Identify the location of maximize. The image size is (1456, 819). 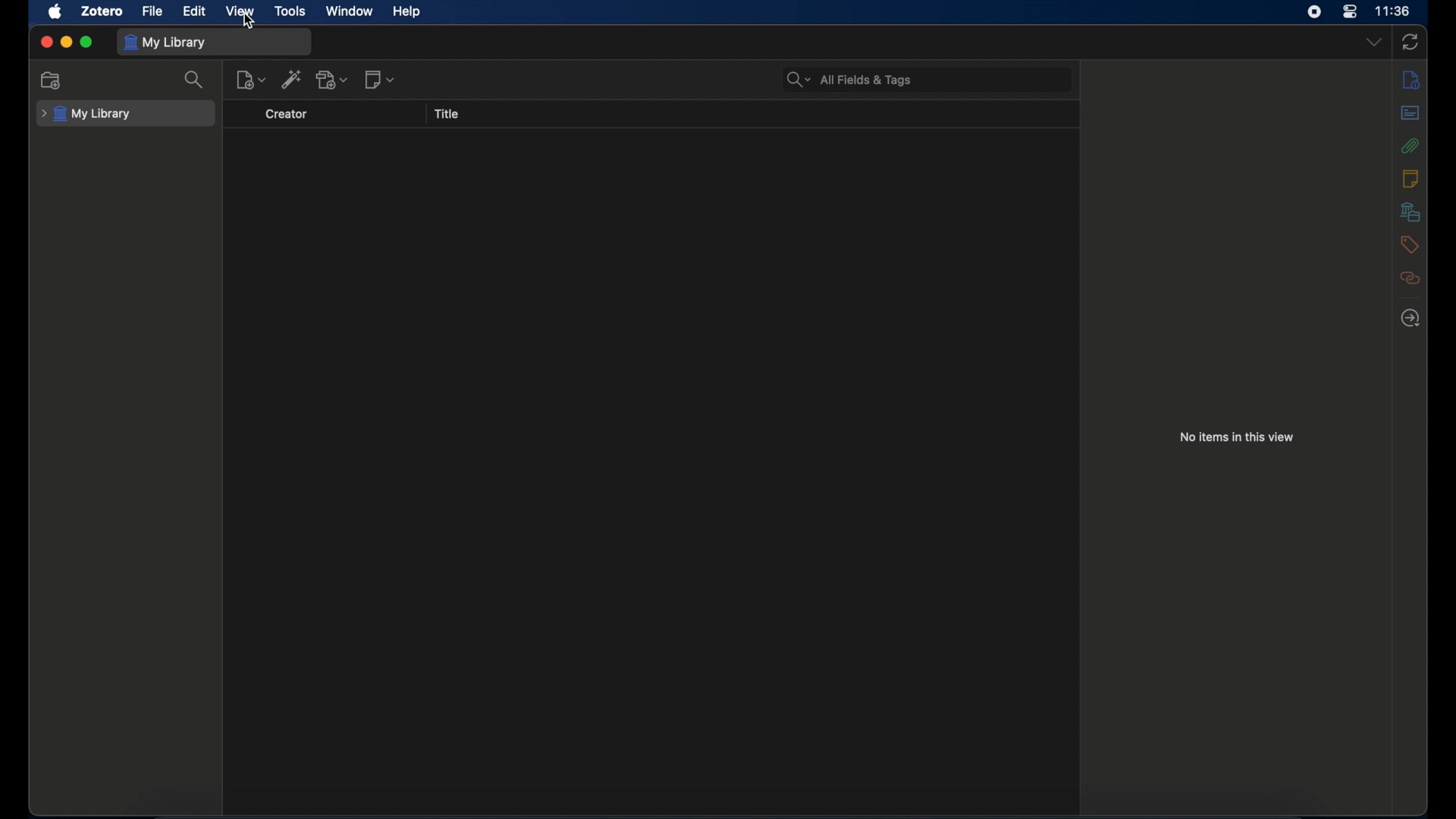
(86, 42).